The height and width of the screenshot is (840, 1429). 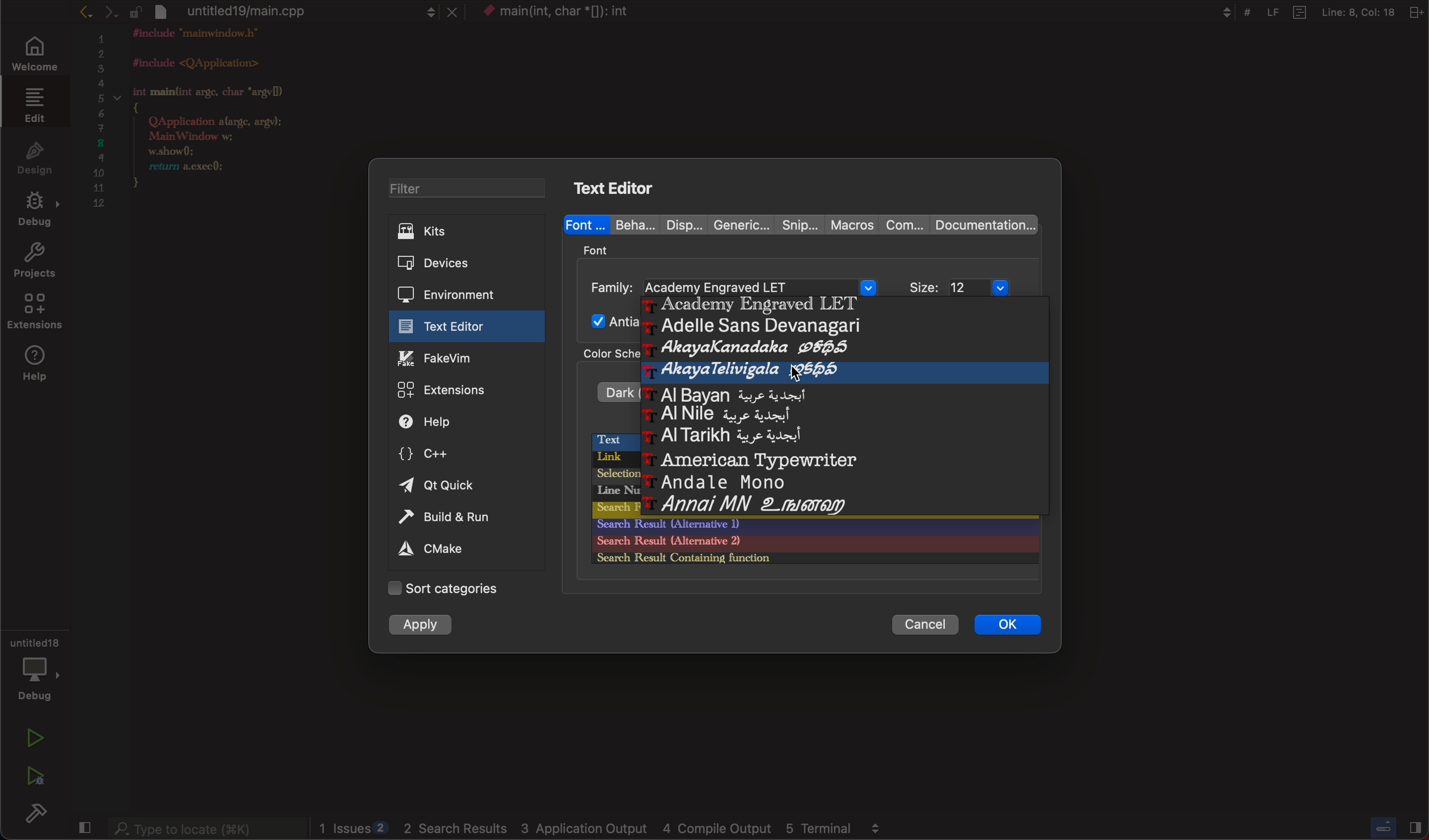 I want to click on fakevim, so click(x=462, y=358).